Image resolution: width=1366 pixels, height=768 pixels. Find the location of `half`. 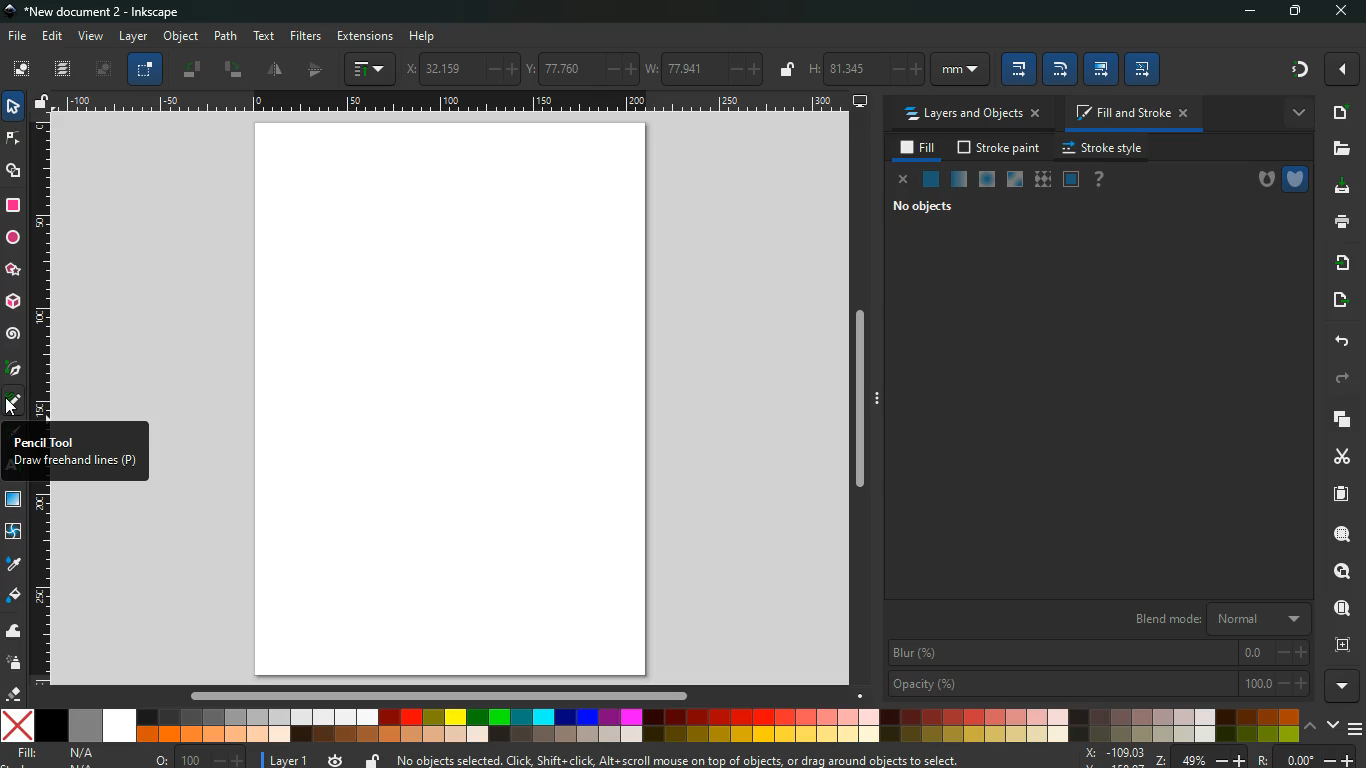

half is located at coordinates (318, 70).